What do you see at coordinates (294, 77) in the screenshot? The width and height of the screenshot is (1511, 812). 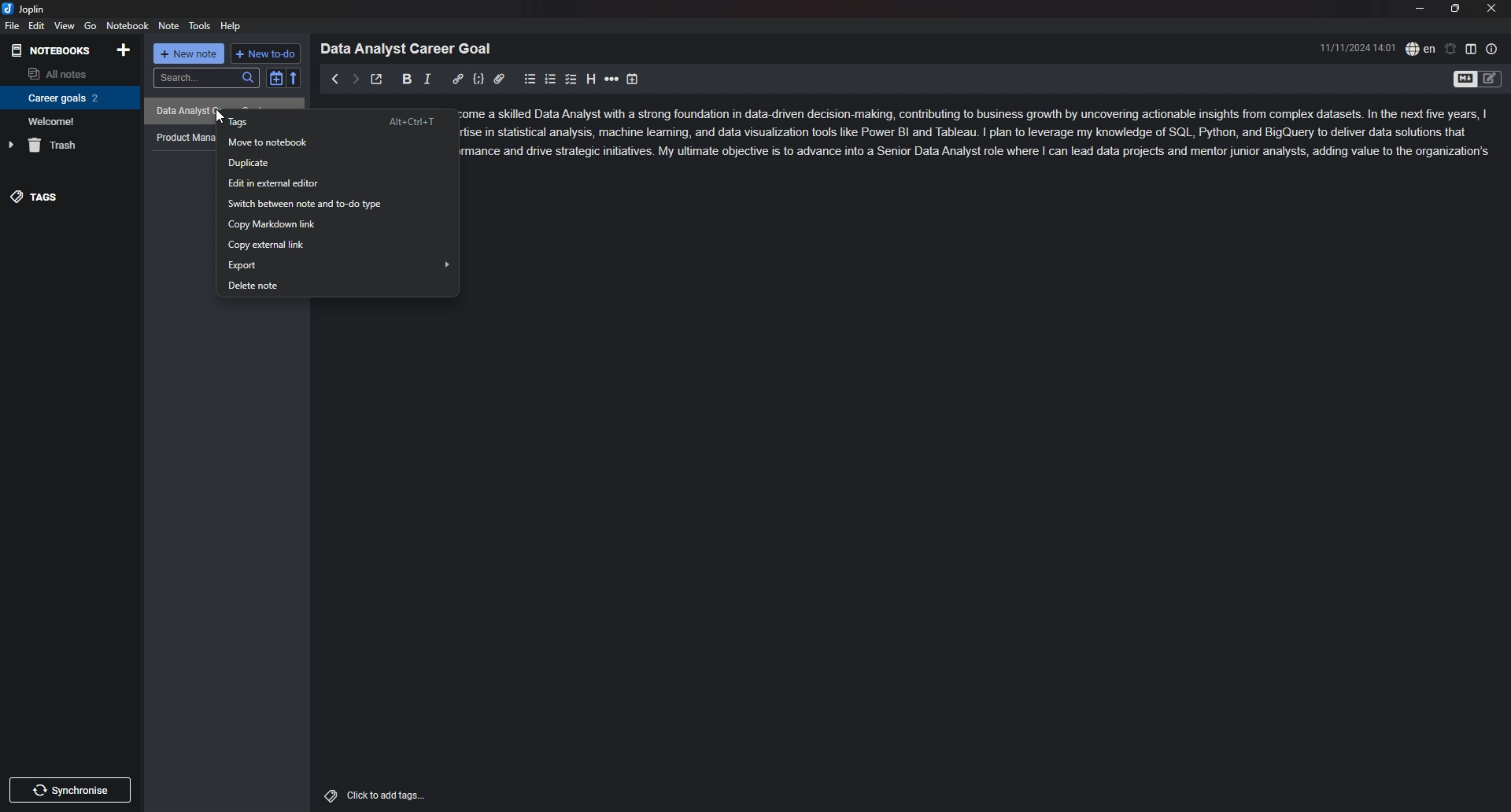 I see `reverse sort order` at bounding box center [294, 77].